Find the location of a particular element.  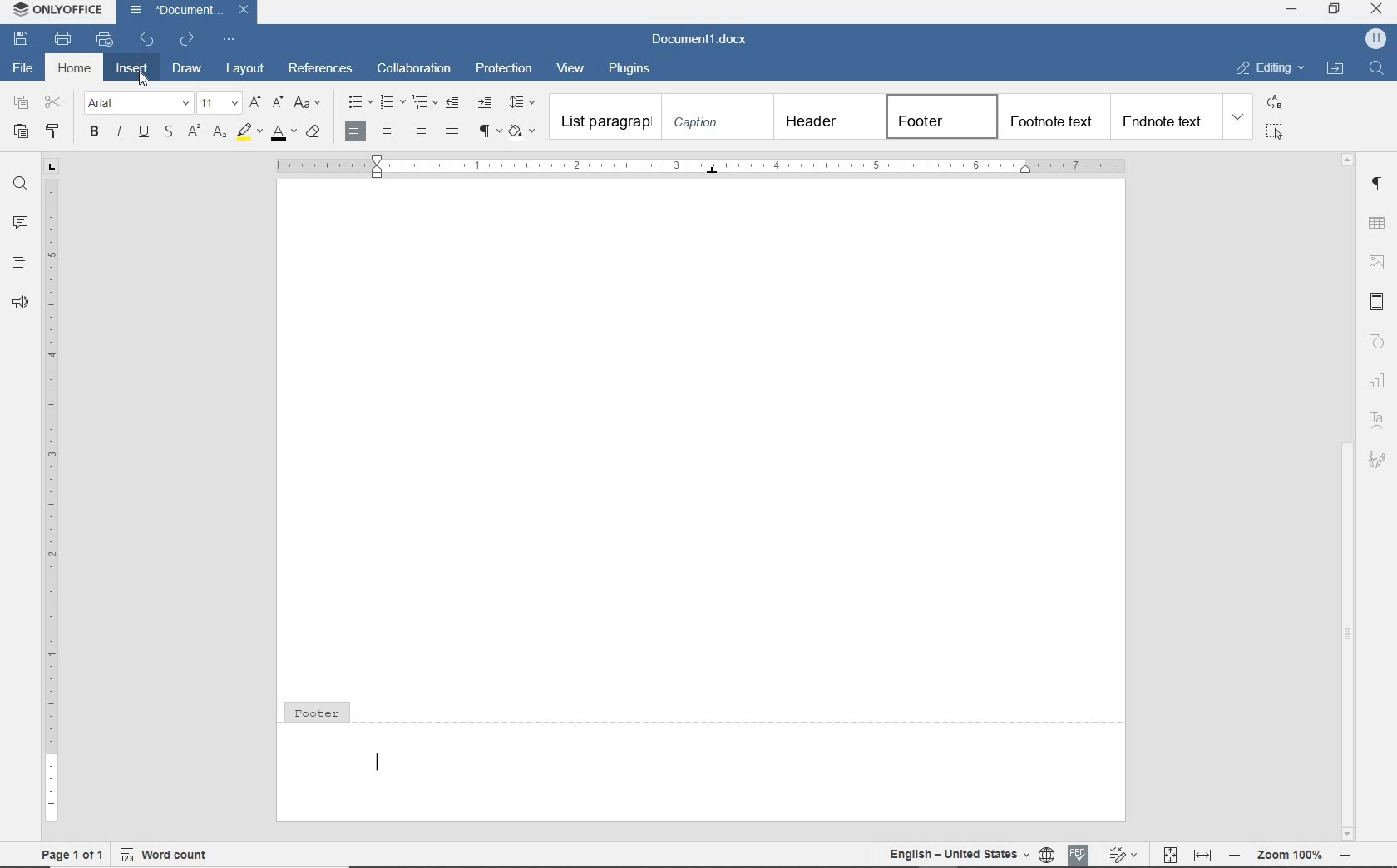

document name is located at coordinates (701, 39).